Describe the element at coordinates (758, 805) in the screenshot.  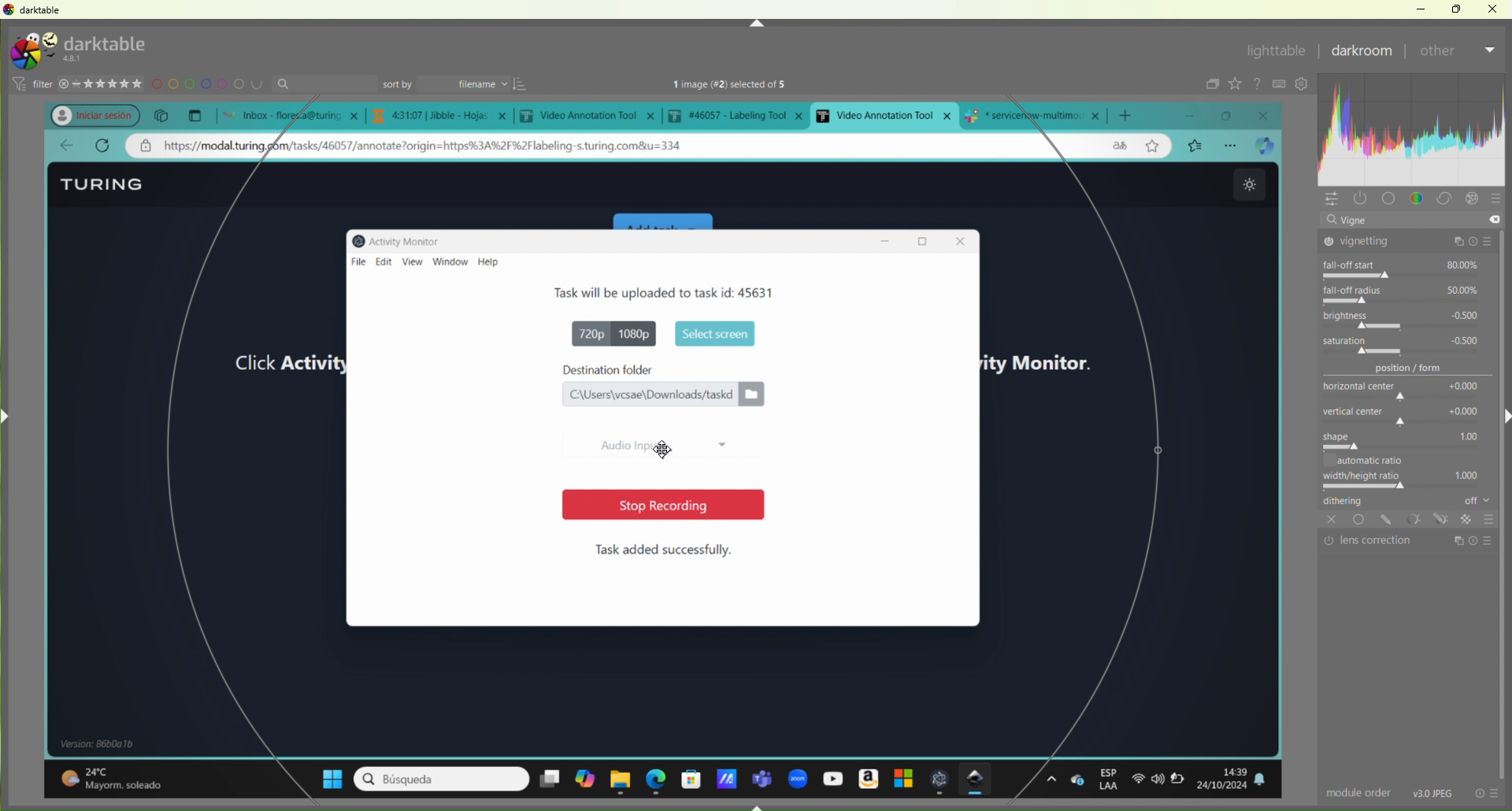
I see `Down` at that location.